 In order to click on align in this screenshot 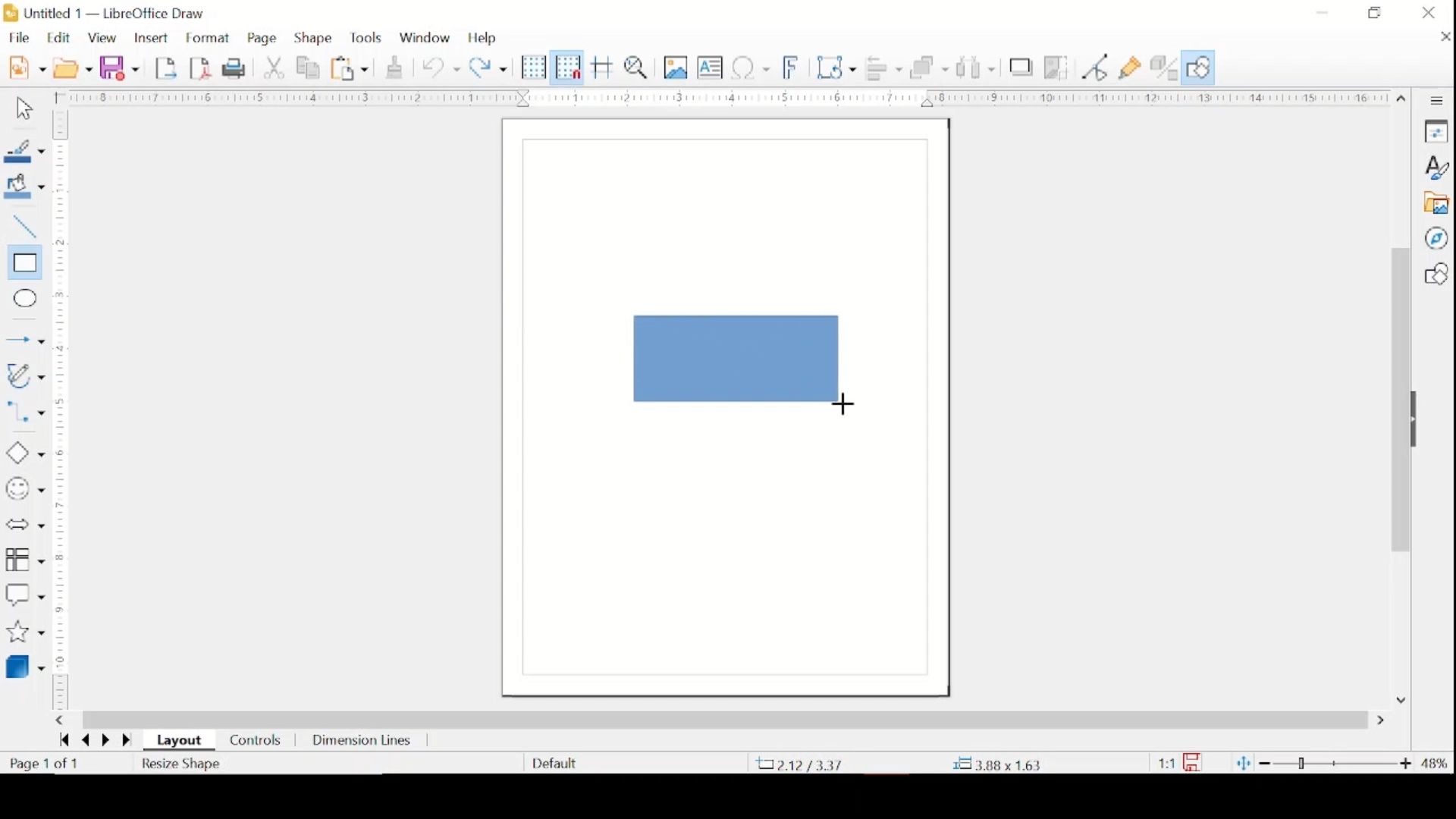, I will do `click(883, 67)`.